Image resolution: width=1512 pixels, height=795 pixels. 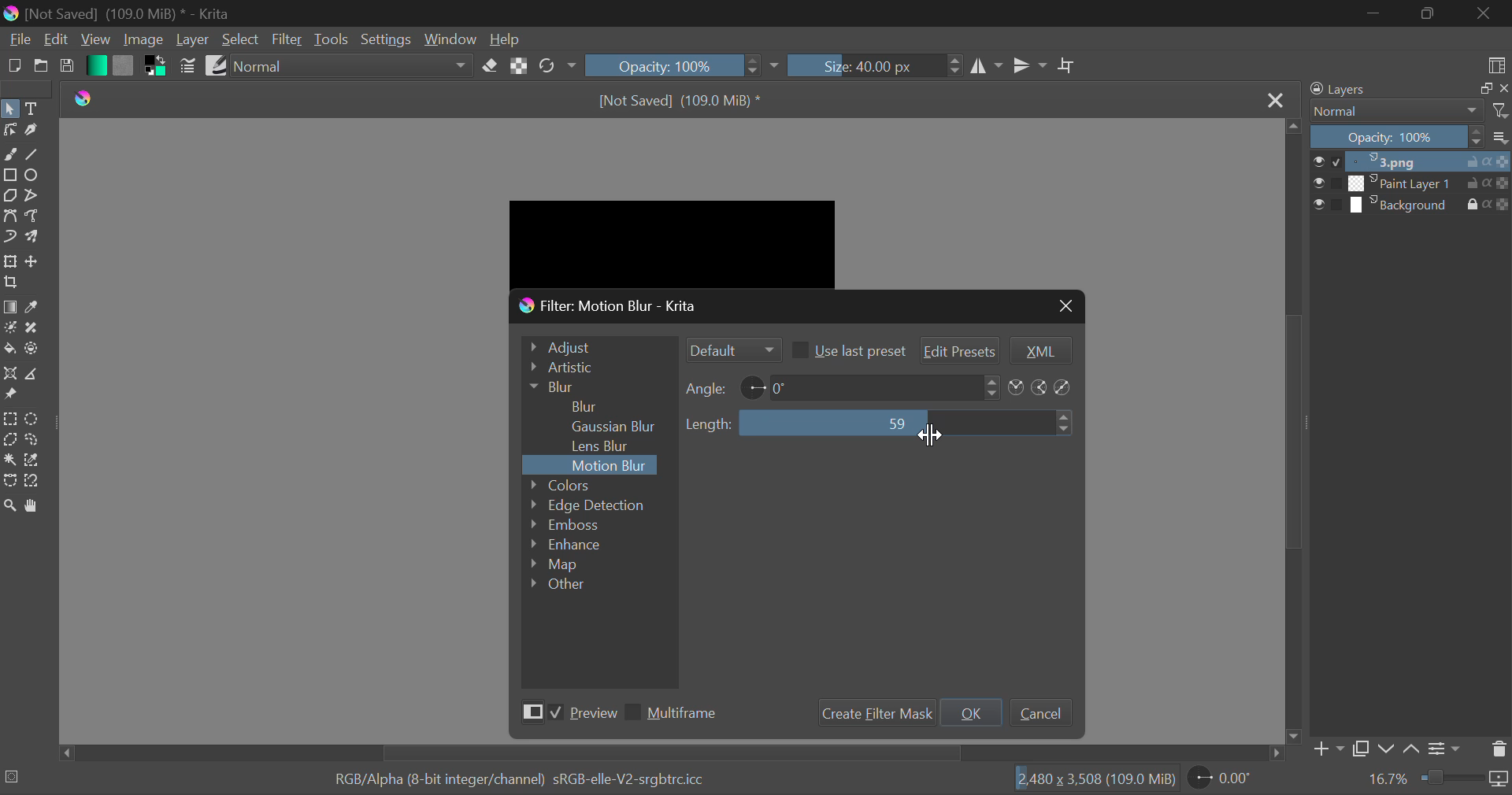 What do you see at coordinates (1042, 388) in the screenshot?
I see `Angle icons` at bounding box center [1042, 388].